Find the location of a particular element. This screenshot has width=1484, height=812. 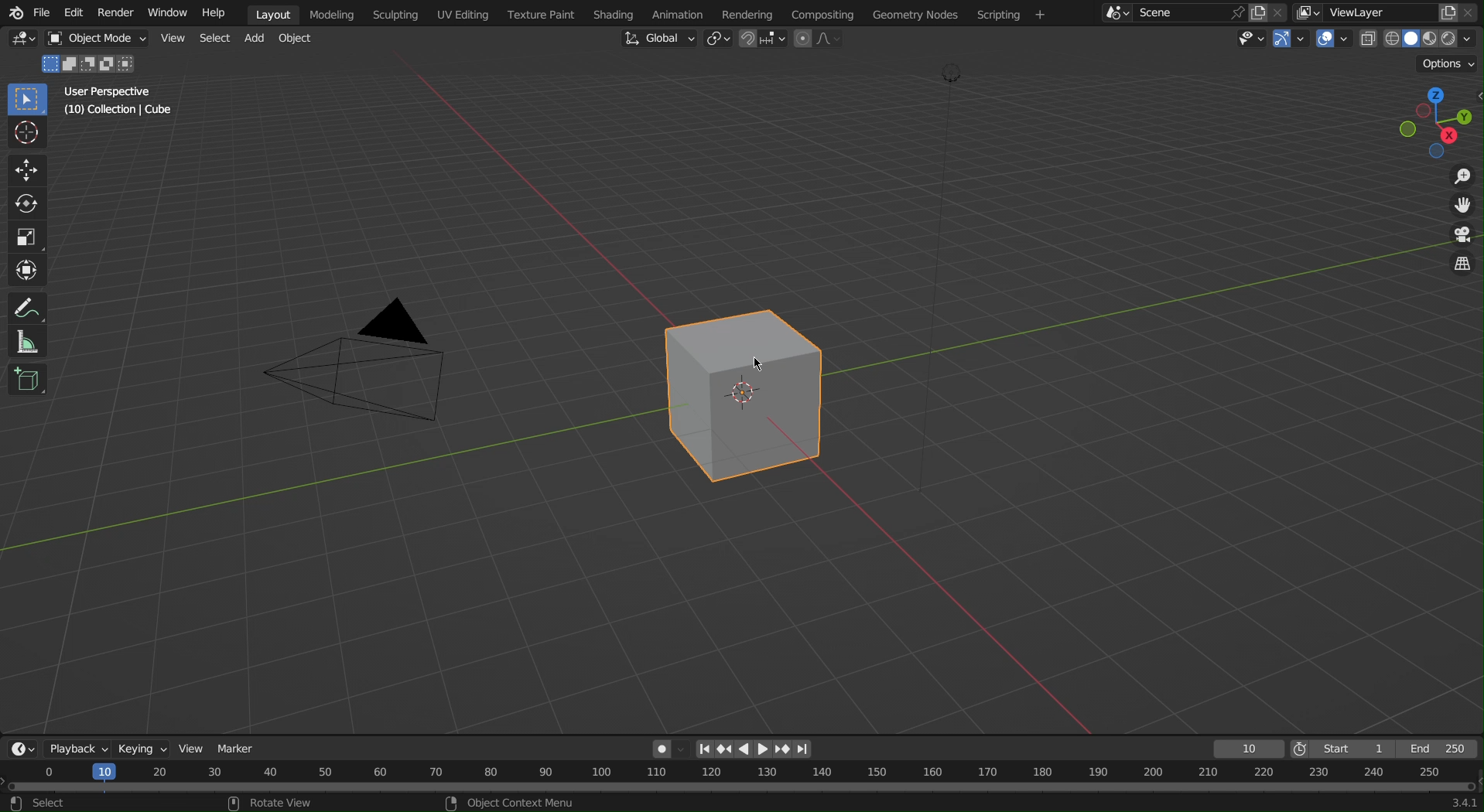

Snapping is located at coordinates (764, 39).